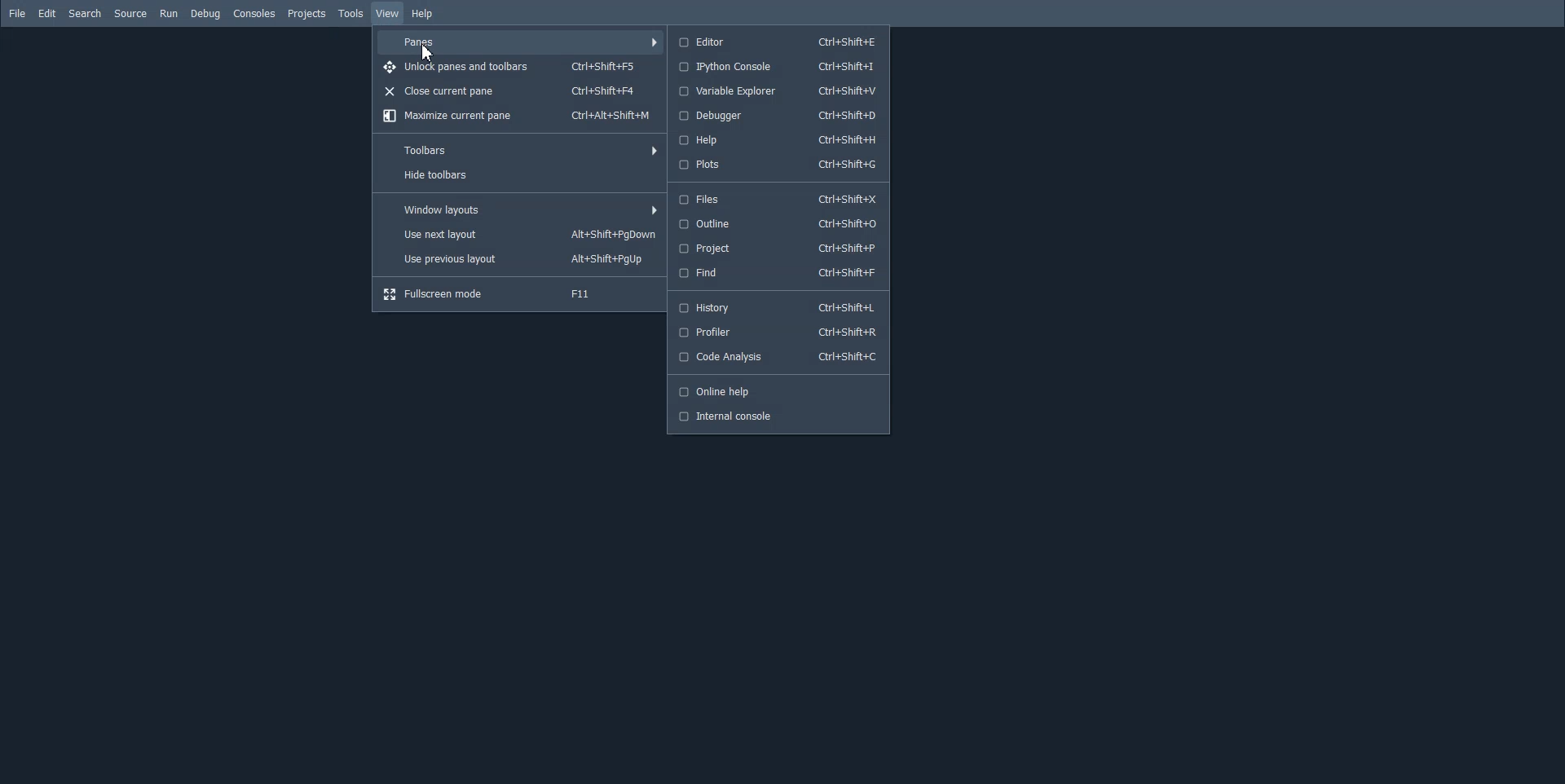 The height and width of the screenshot is (784, 1565). I want to click on Close current pane, so click(518, 90).